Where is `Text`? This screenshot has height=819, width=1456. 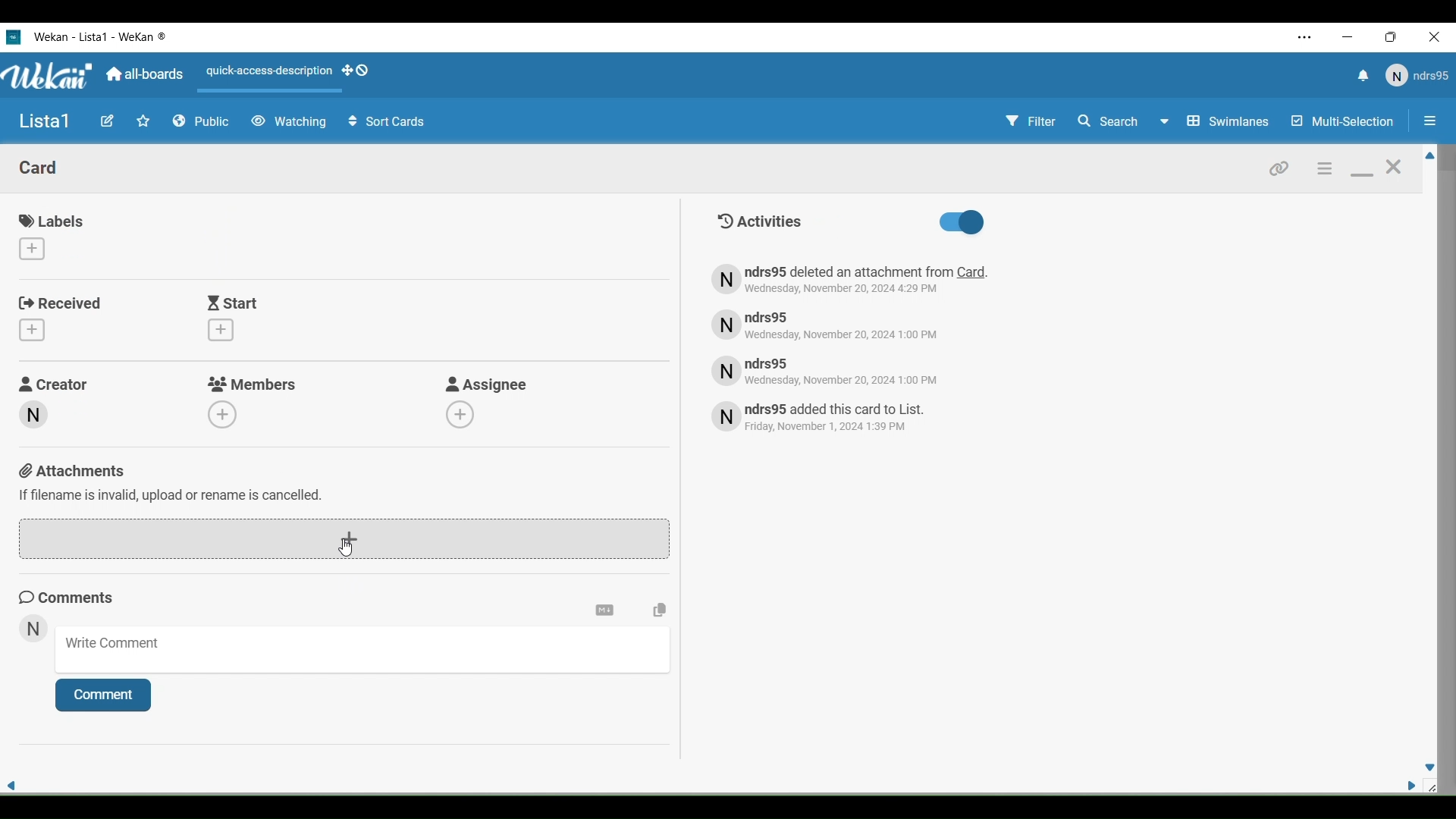 Text is located at coordinates (758, 221).